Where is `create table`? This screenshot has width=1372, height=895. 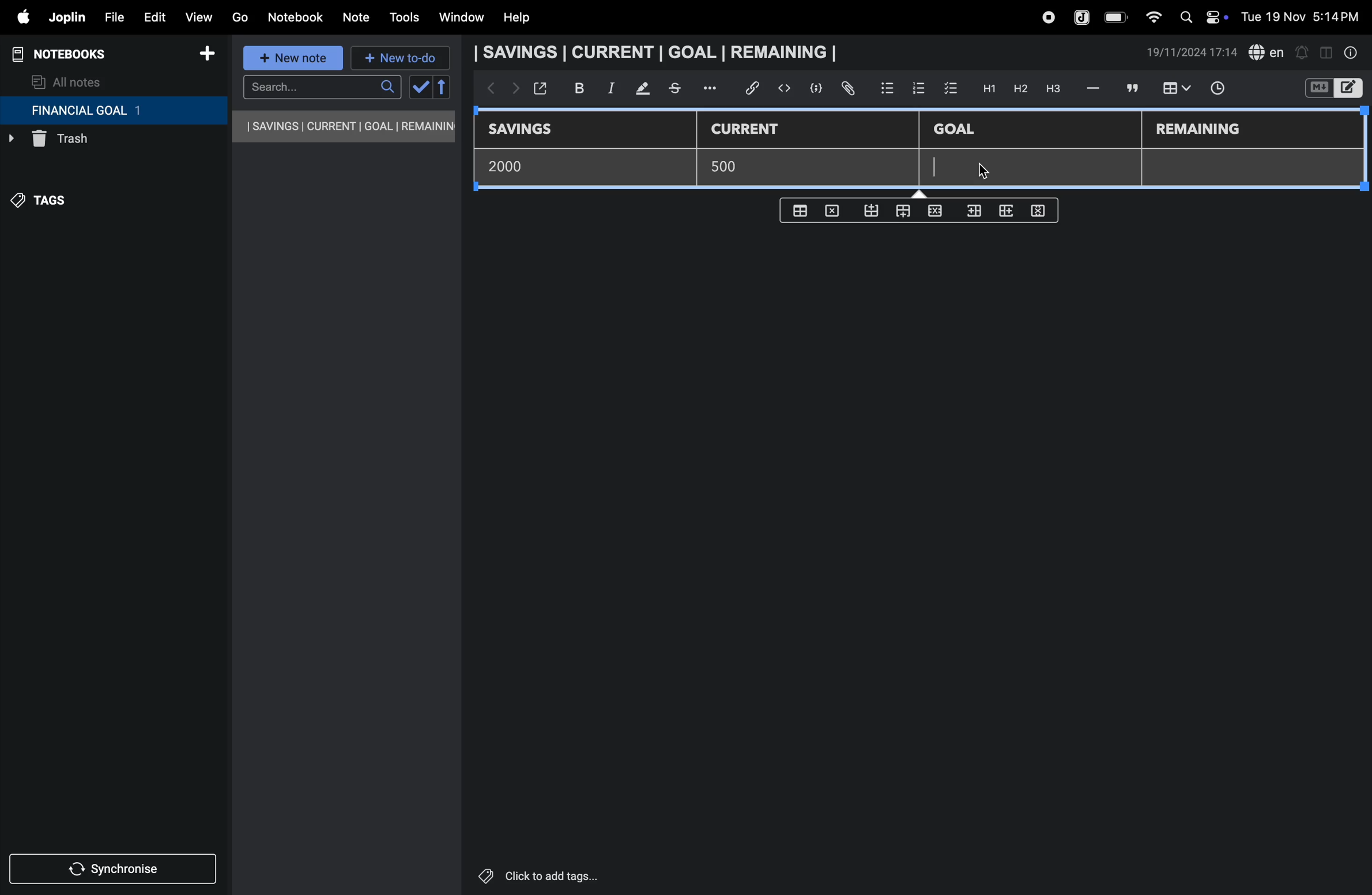
create table is located at coordinates (802, 208).